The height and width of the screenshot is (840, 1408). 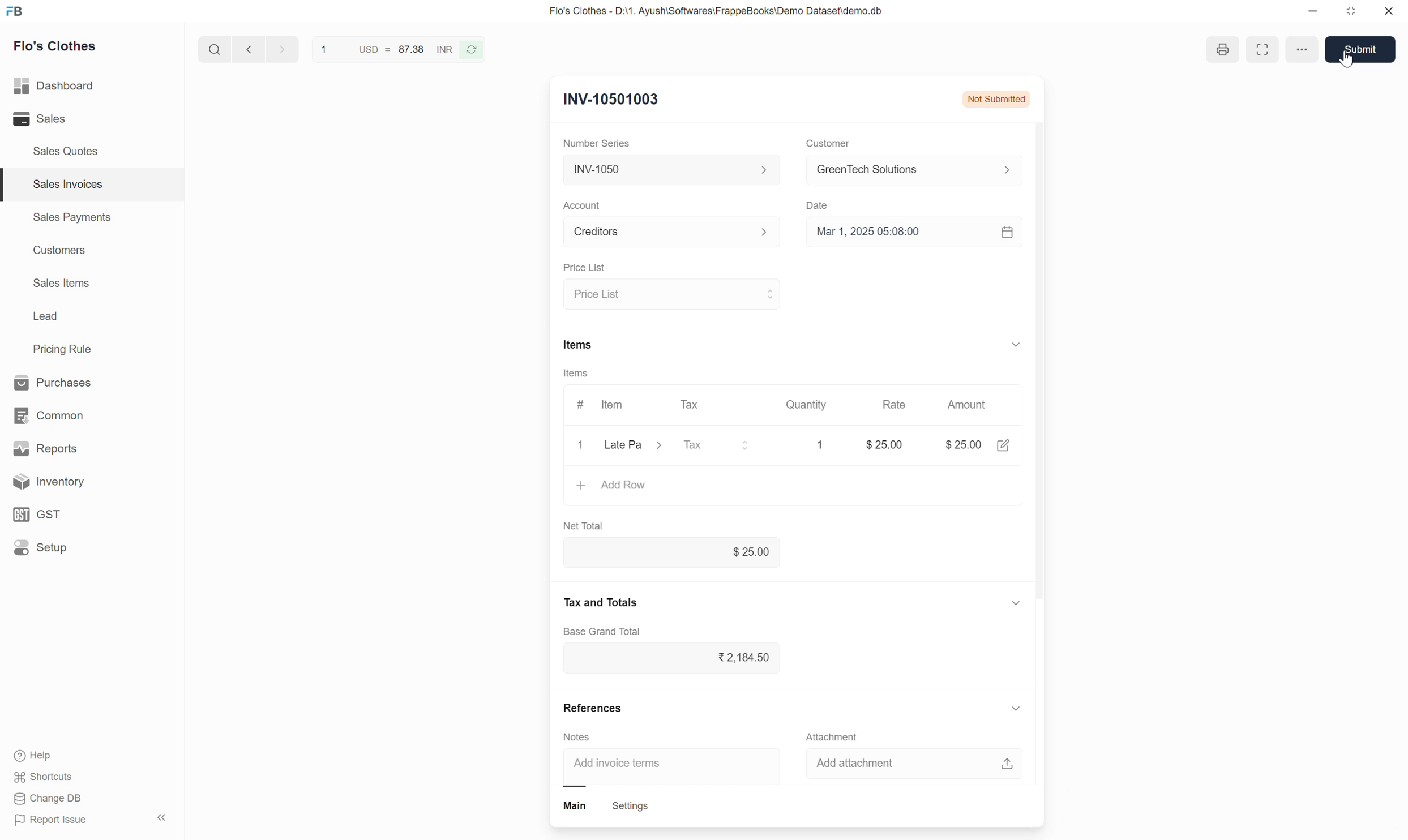 I want to click on main, so click(x=571, y=807).